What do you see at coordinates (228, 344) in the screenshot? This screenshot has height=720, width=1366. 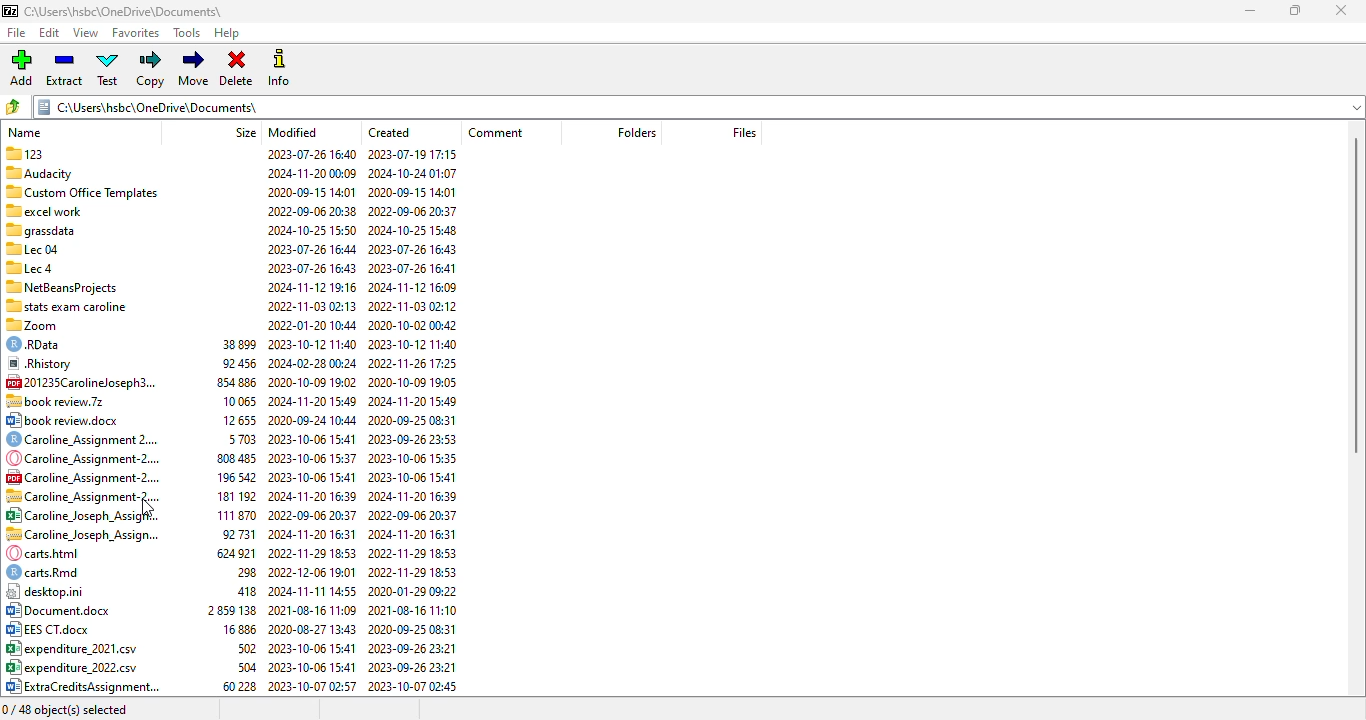 I see `€) RData 38899 2023-10-12 11:40 2023-10-12 11:40` at bounding box center [228, 344].